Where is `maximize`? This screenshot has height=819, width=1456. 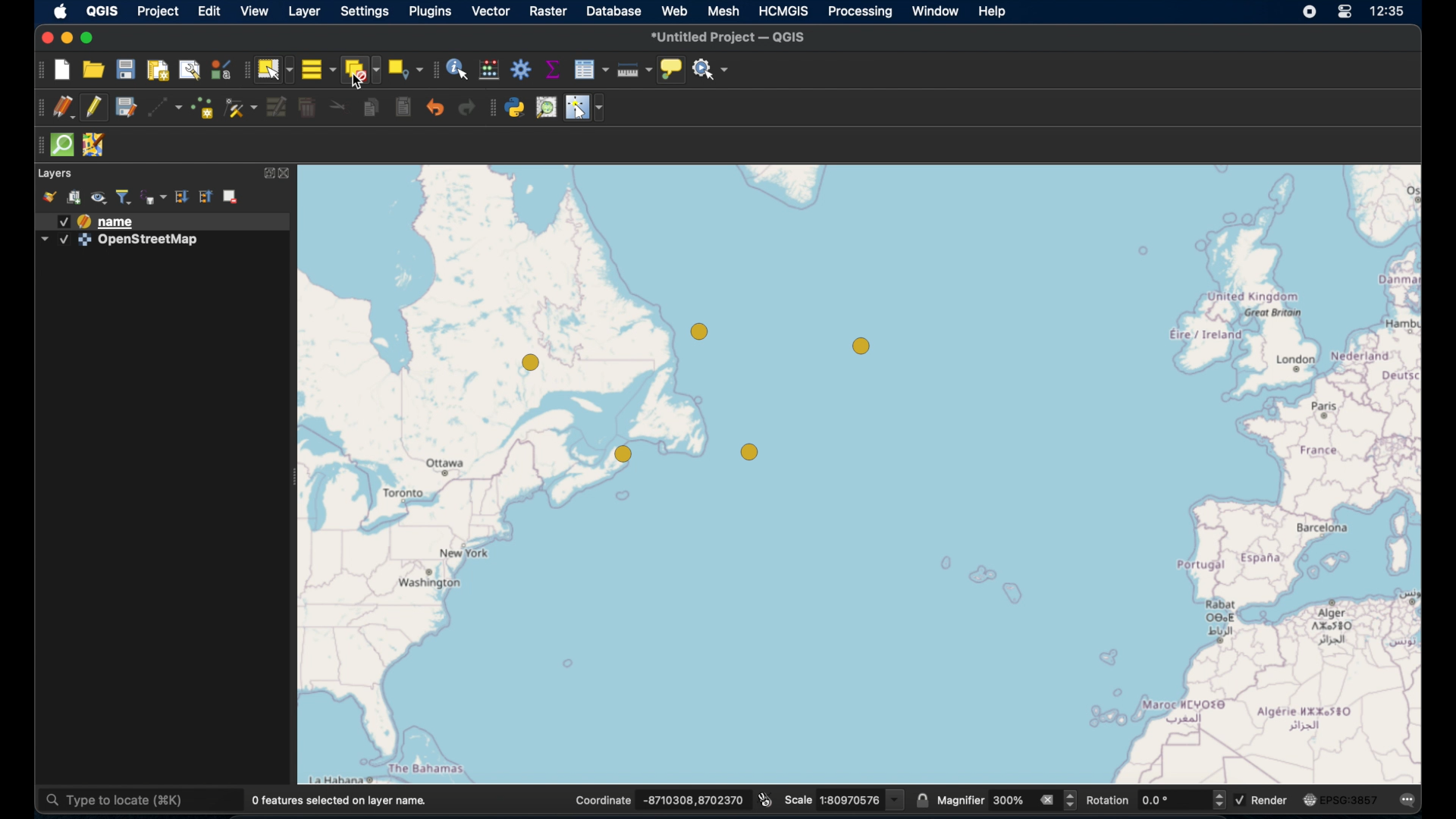 maximize is located at coordinates (90, 39).